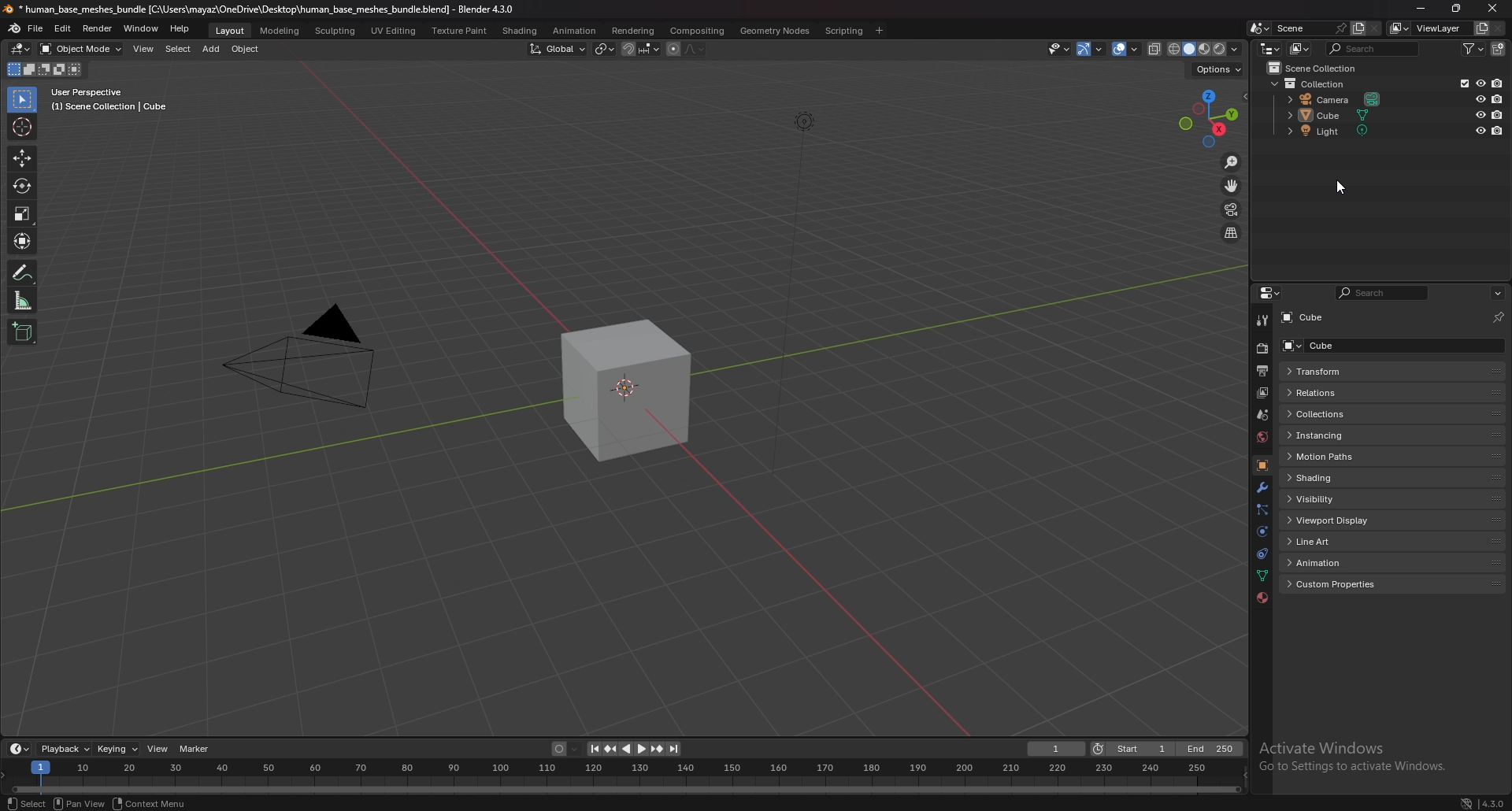 This screenshot has height=811, width=1512. I want to click on view, so click(159, 748).